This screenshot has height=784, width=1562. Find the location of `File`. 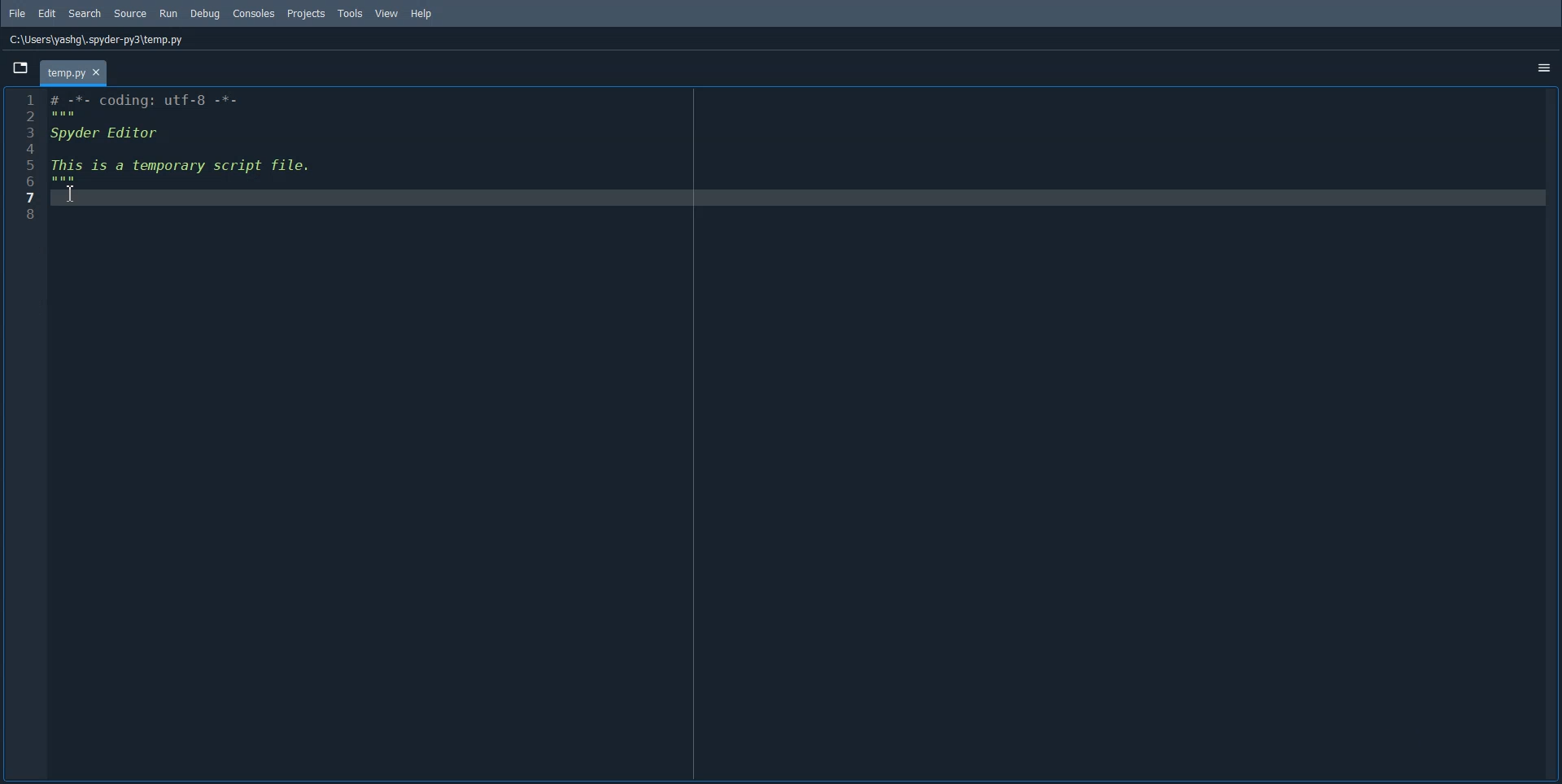

File is located at coordinates (17, 14).